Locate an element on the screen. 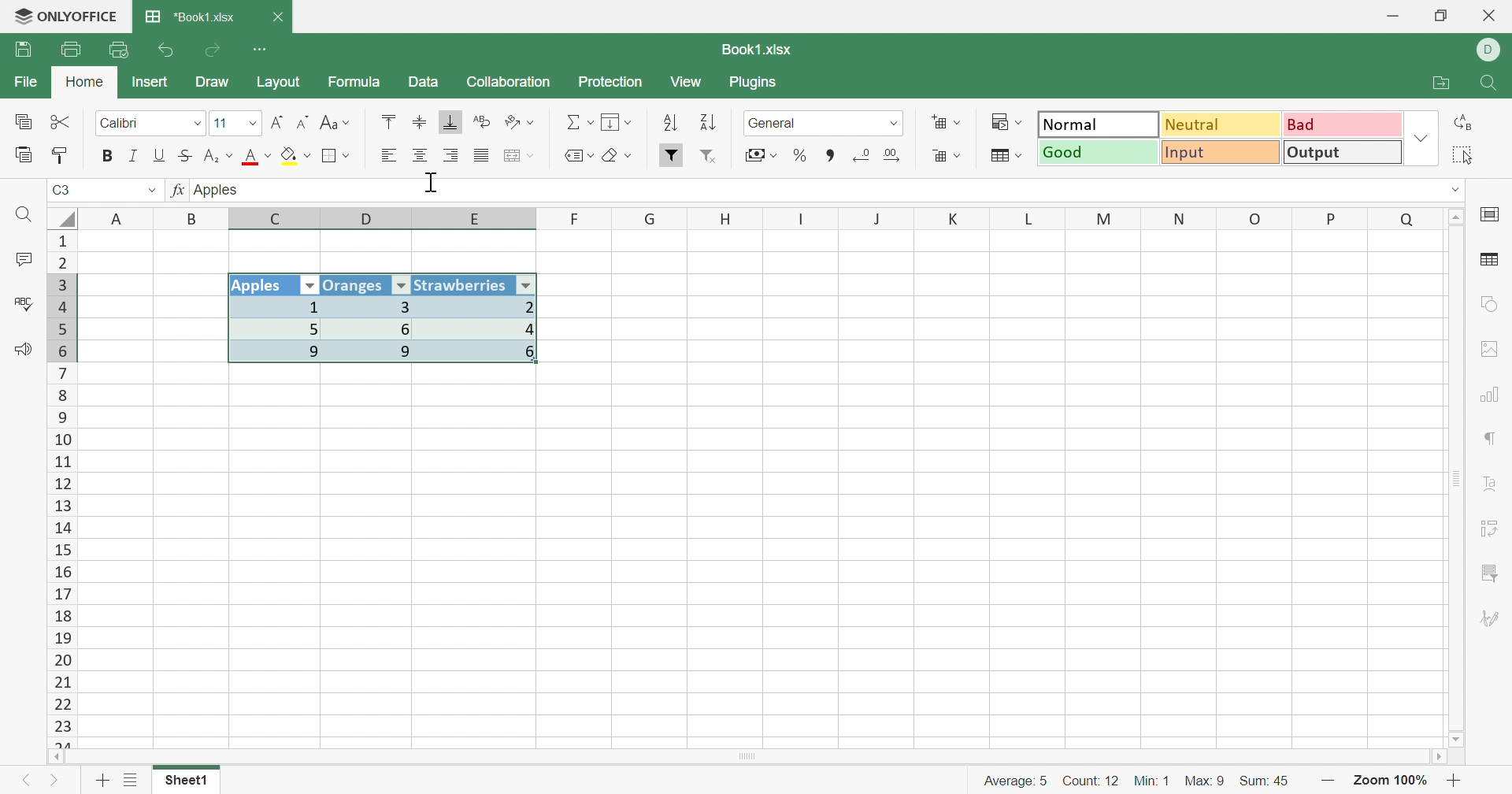  Find is located at coordinates (1492, 84).